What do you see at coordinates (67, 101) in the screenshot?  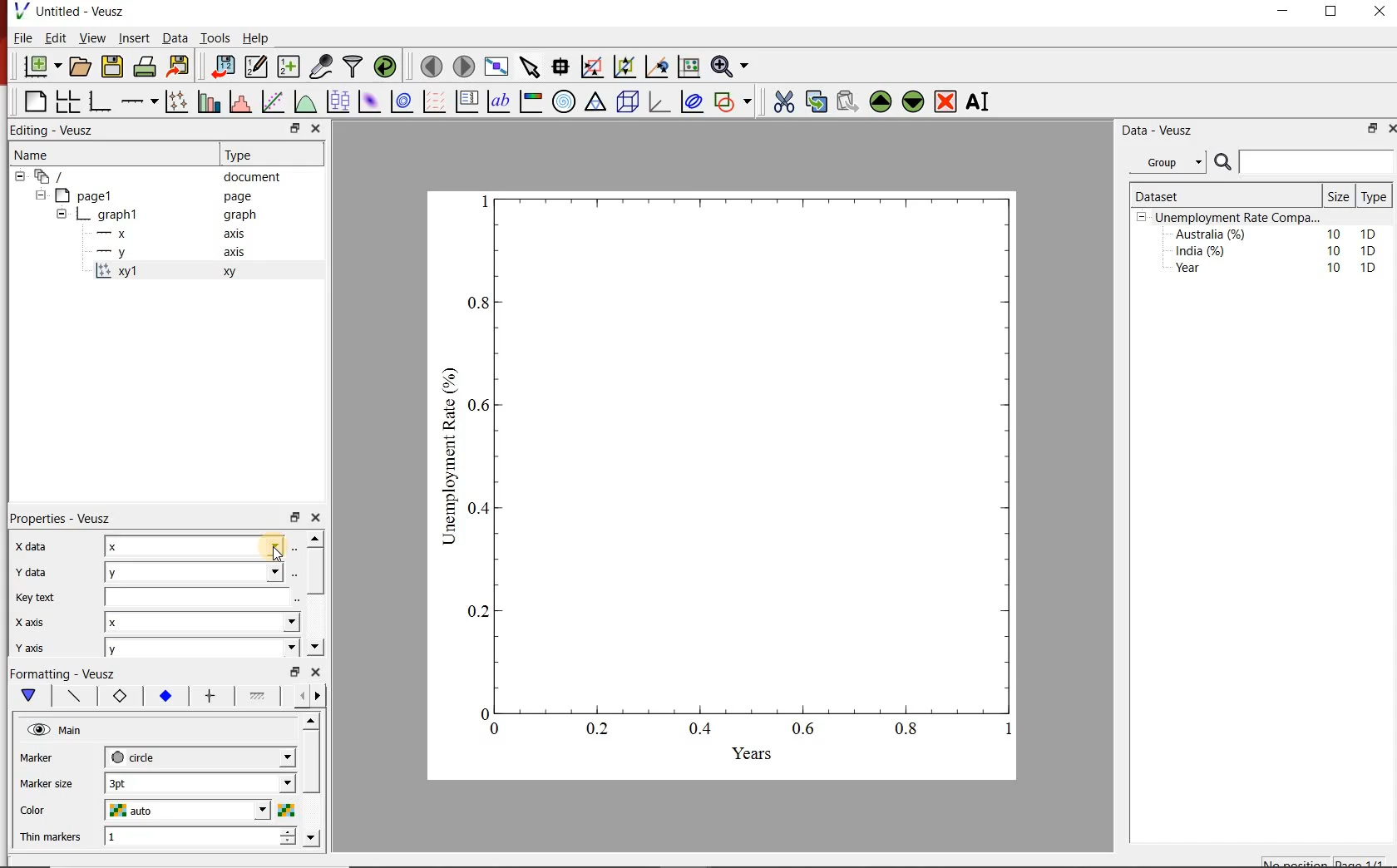 I see `arrange graphs` at bounding box center [67, 101].